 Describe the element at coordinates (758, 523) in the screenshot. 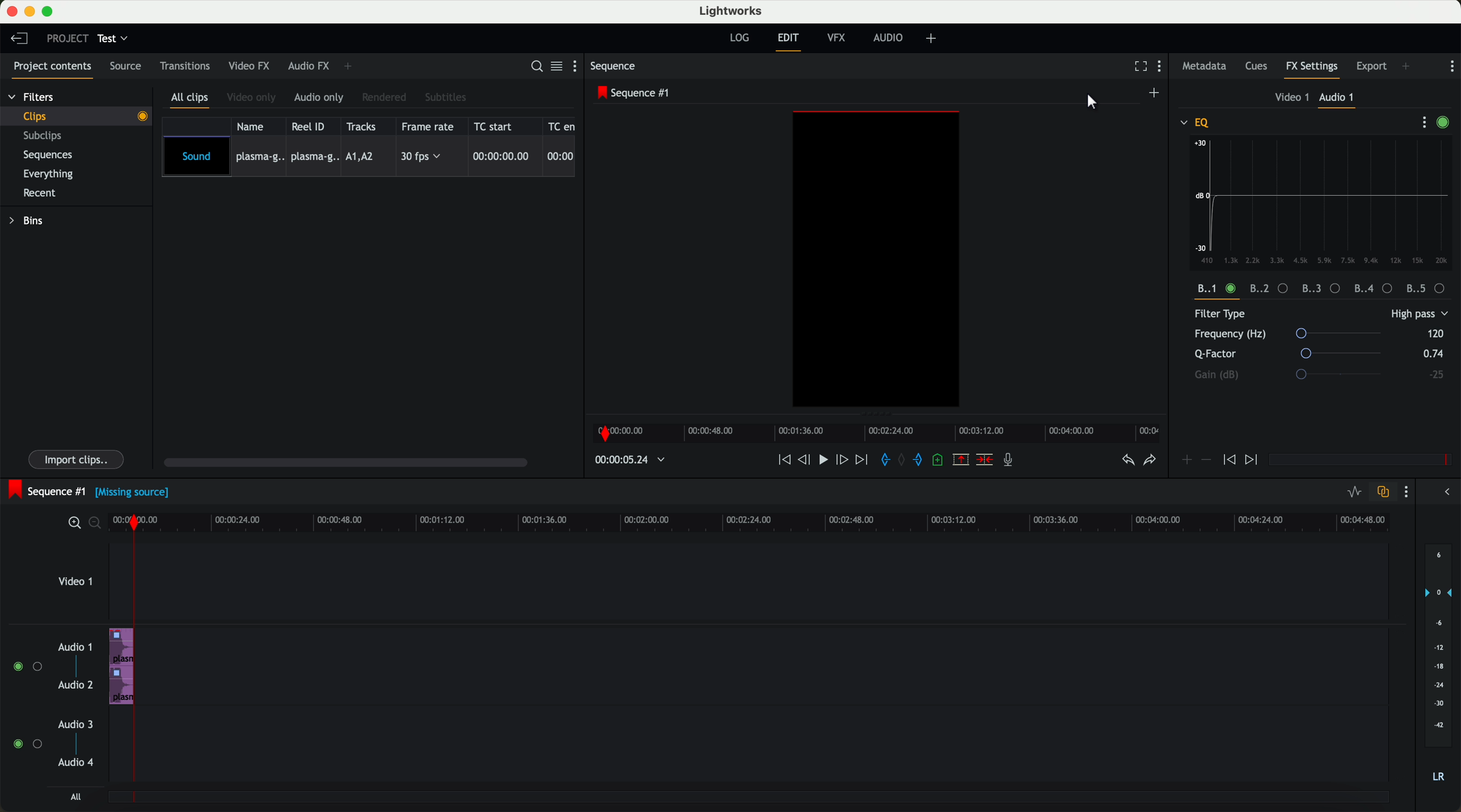

I see `timeline` at that location.